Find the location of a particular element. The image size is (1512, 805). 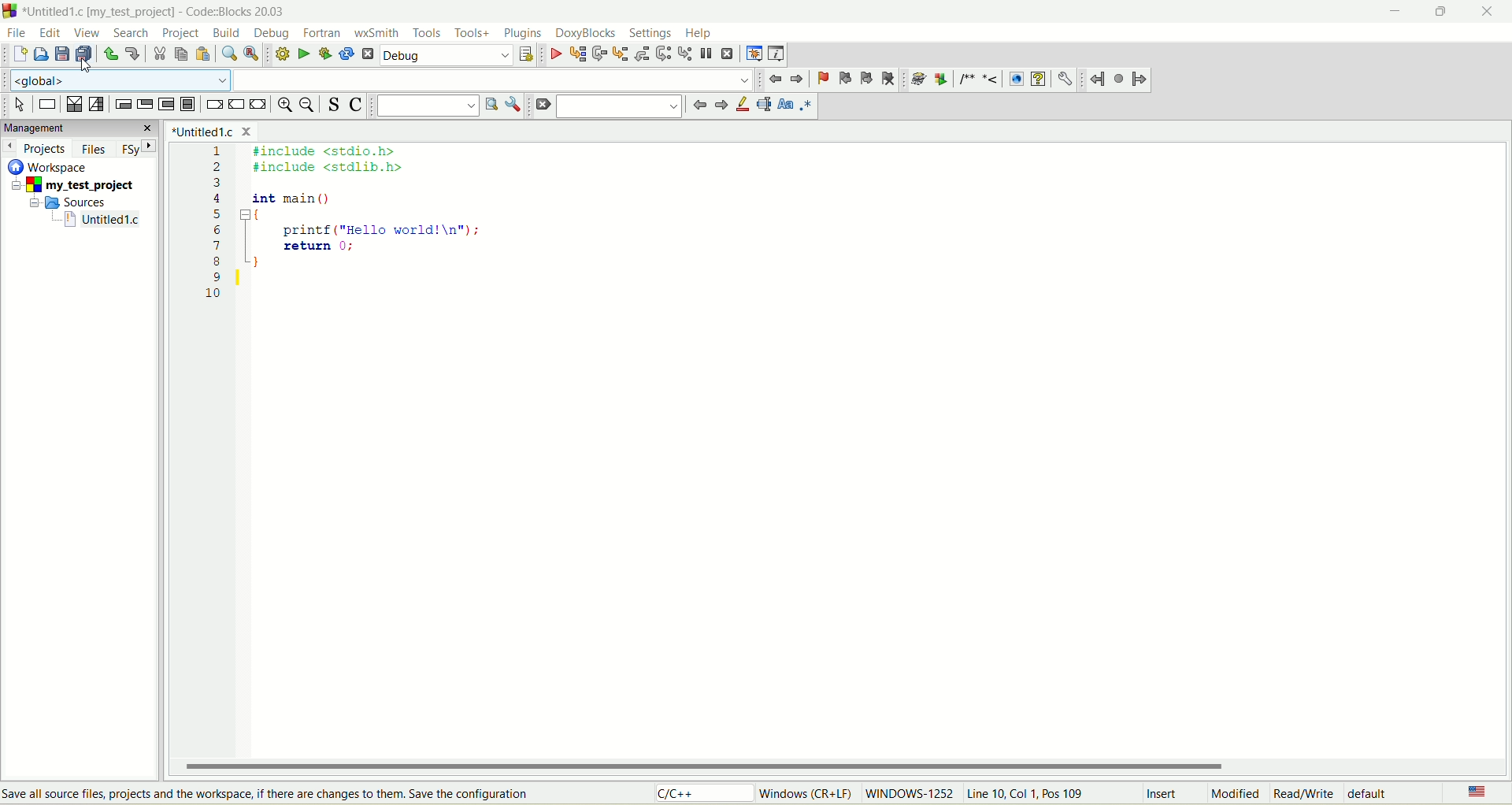

tools is located at coordinates (472, 33).